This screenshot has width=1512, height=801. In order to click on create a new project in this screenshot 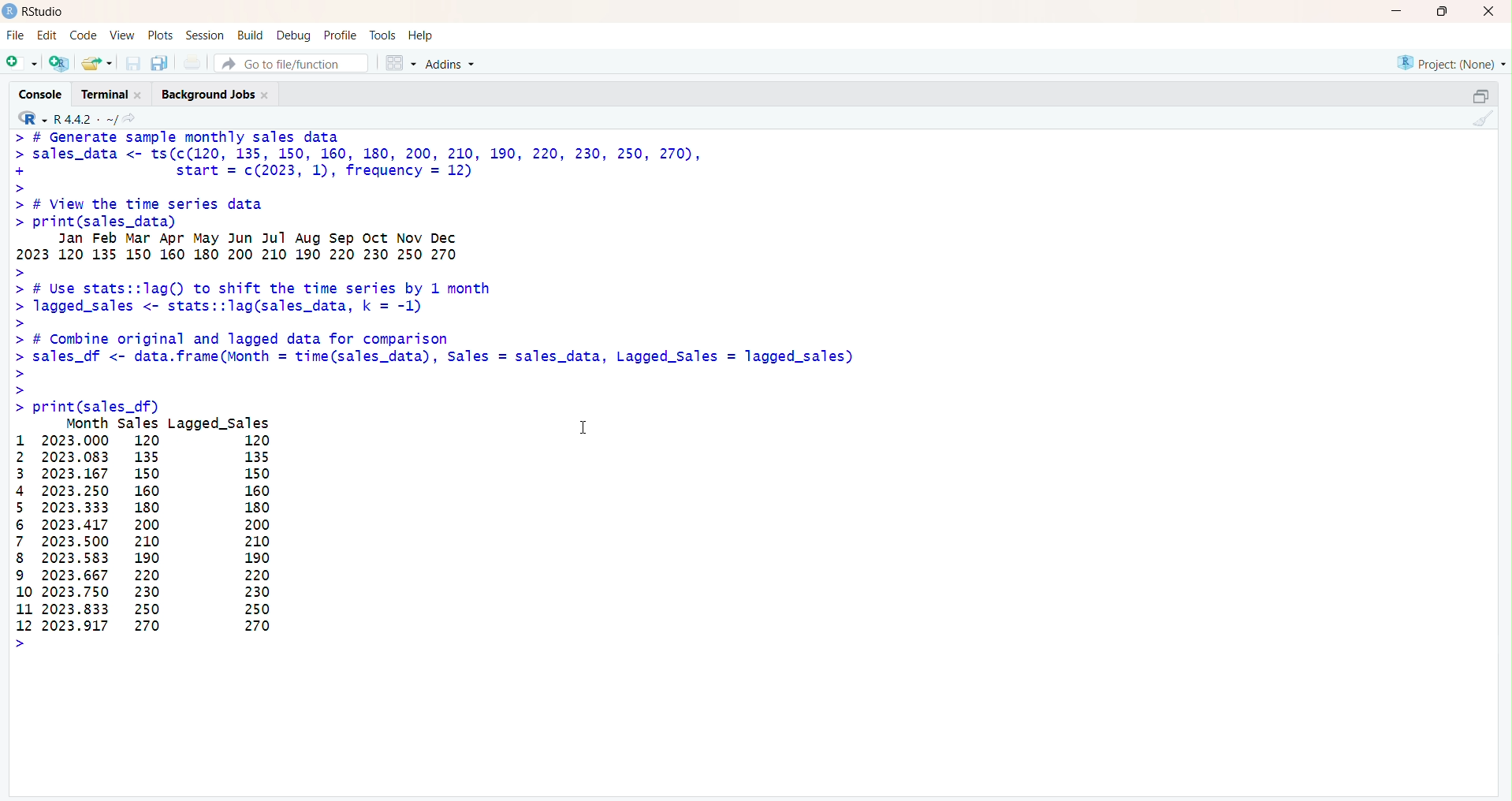, I will do `click(61, 63)`.